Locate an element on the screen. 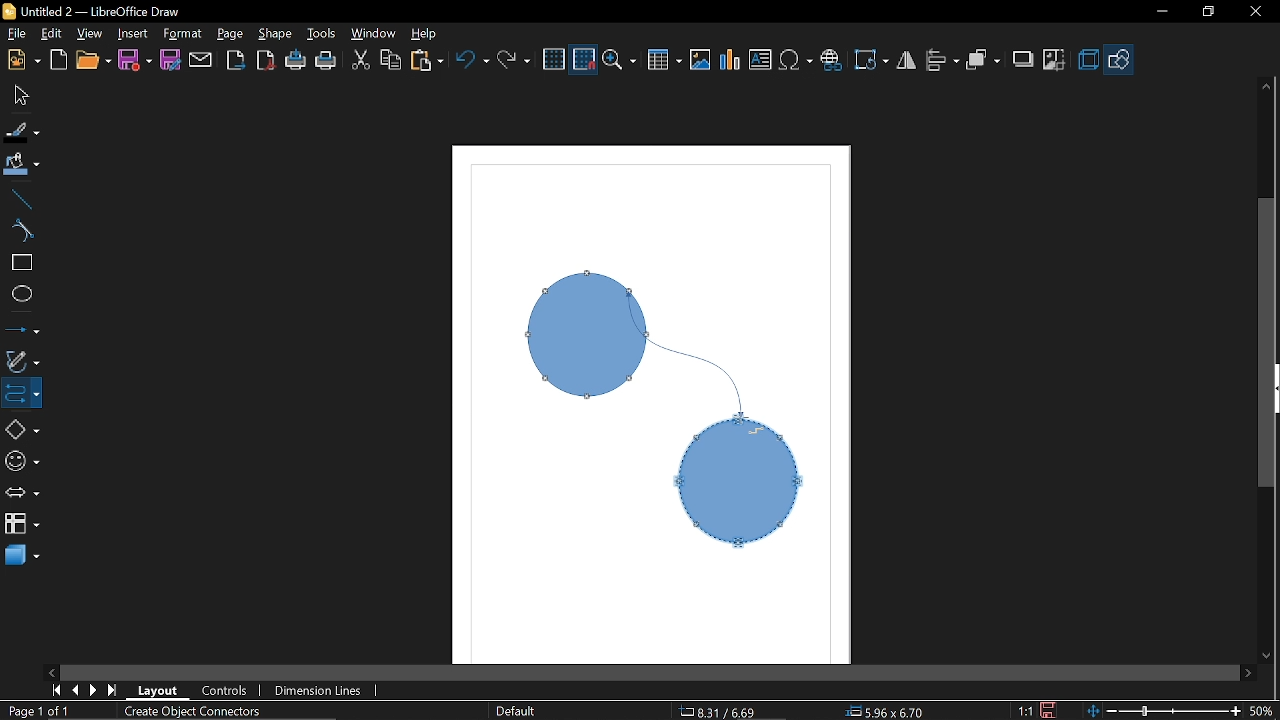  Line is located at coordinates (19, 200).